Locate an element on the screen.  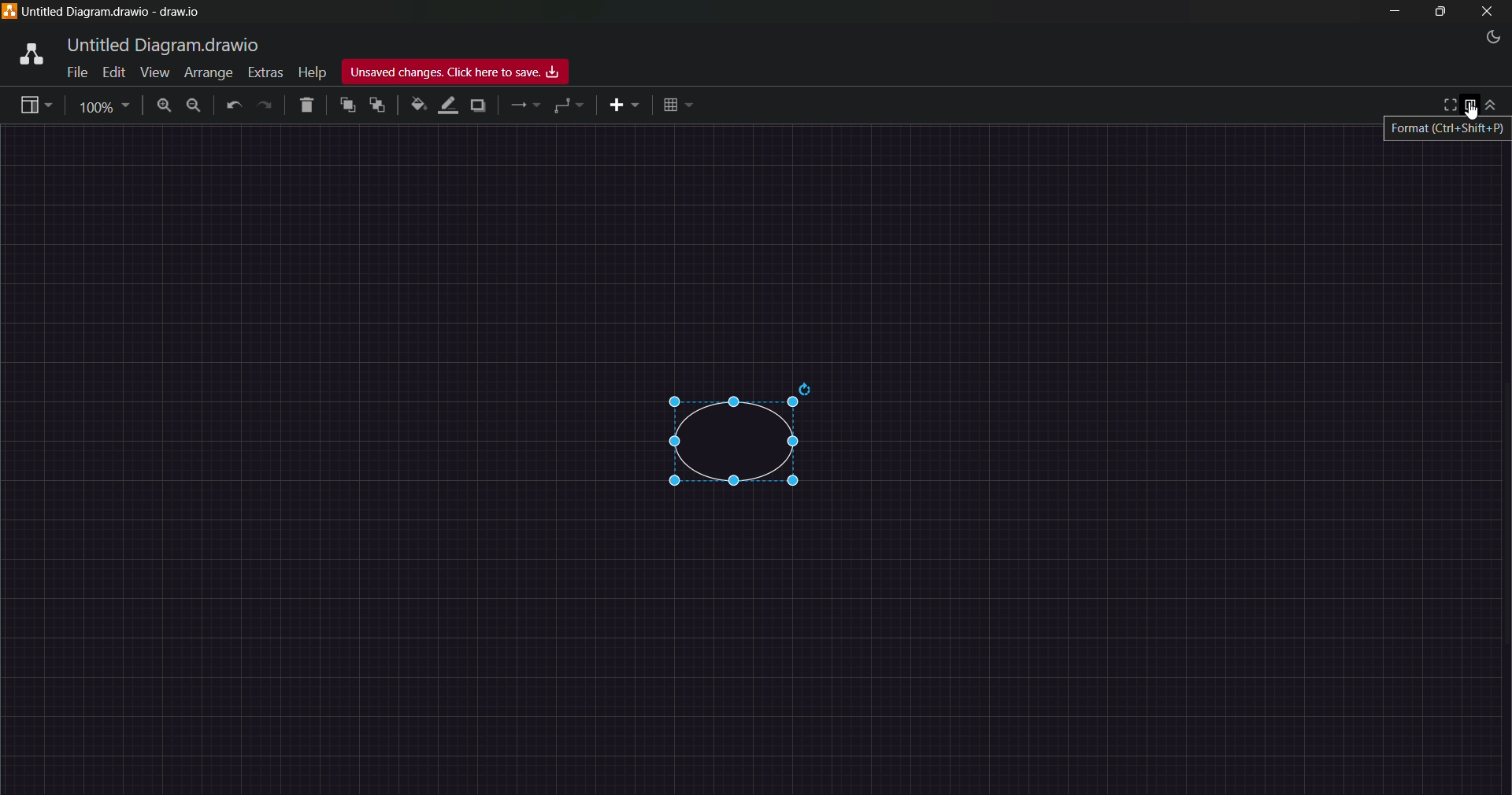
help is located at coordinates (313, 73).